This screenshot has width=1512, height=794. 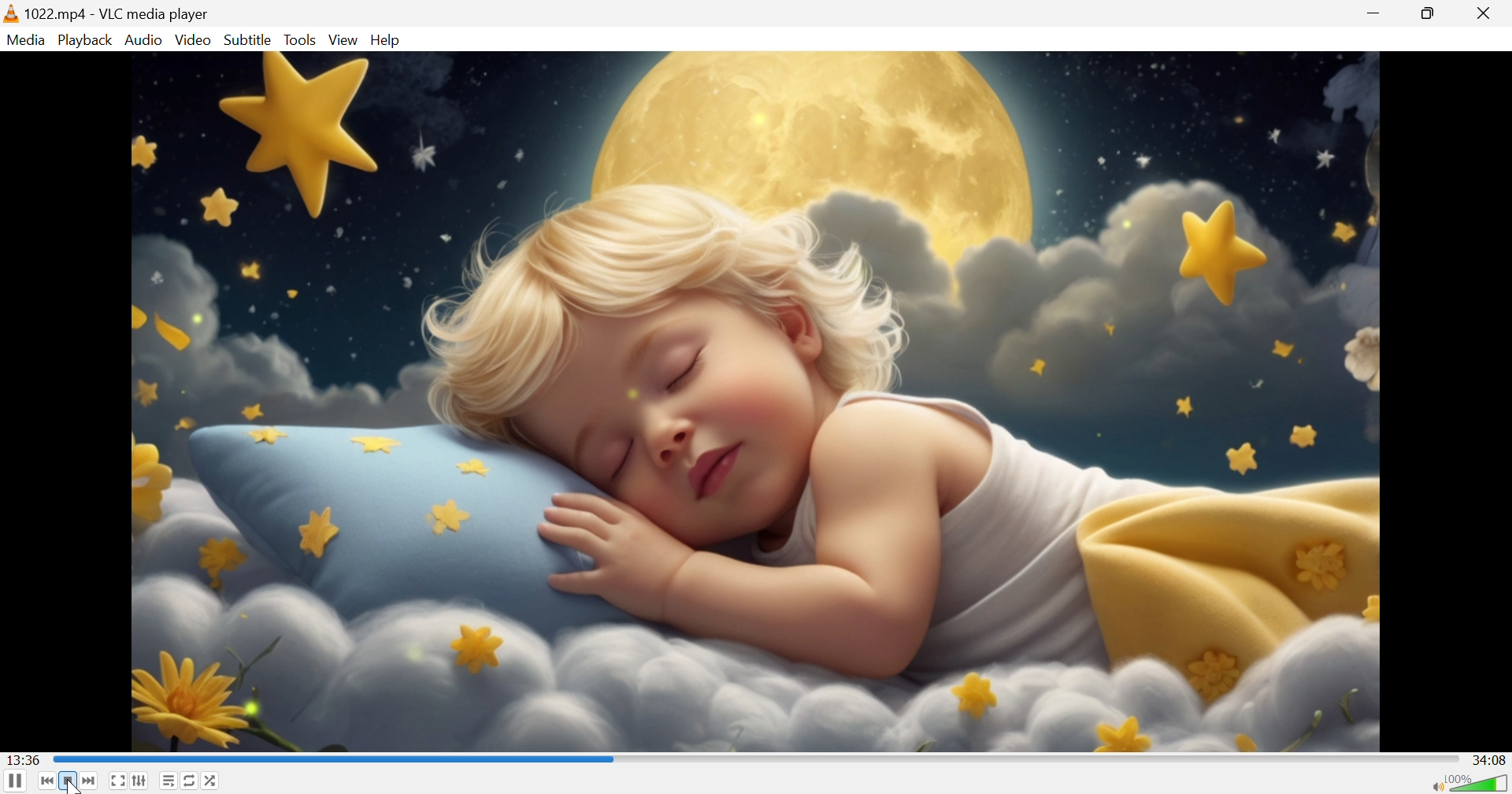 I want to click on Toggle playlist, so click(x=169, y=781).